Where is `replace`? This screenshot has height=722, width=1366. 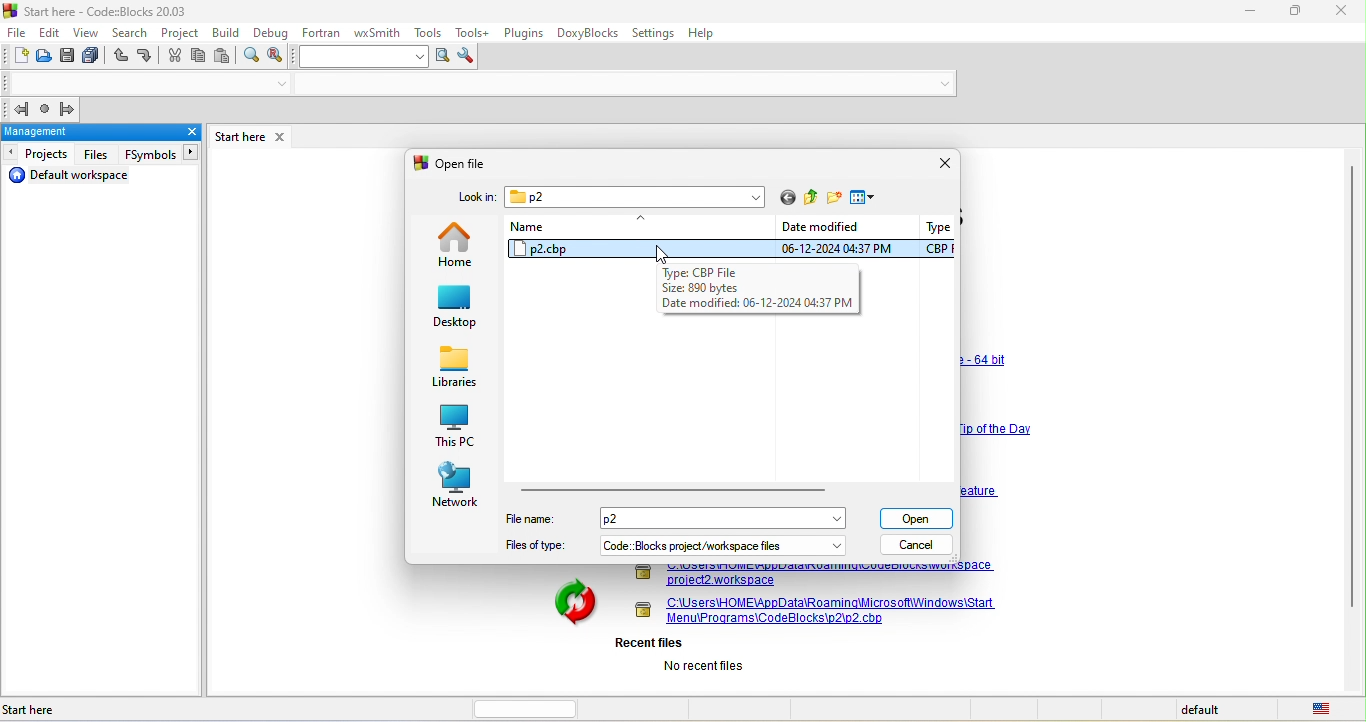
replace is located at coordinates (280, 56).